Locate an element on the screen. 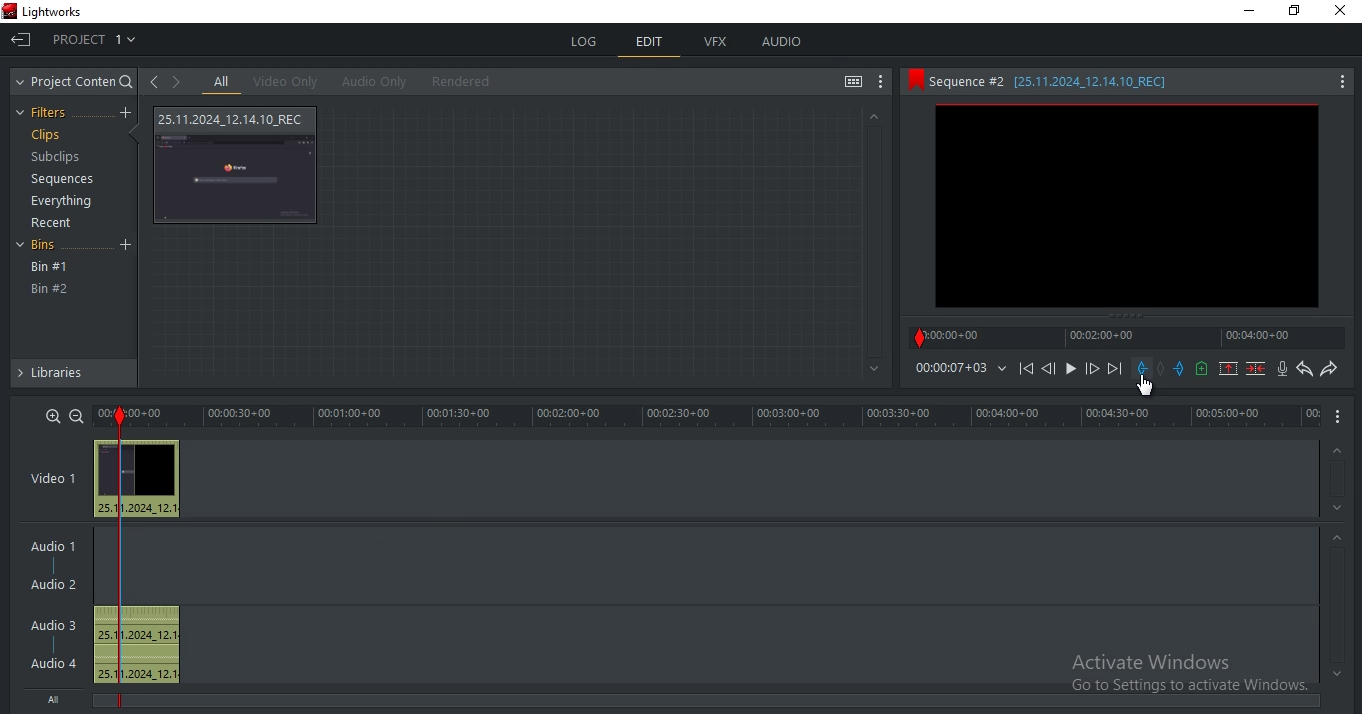  Maximize is located at coordinates (1299, 14).